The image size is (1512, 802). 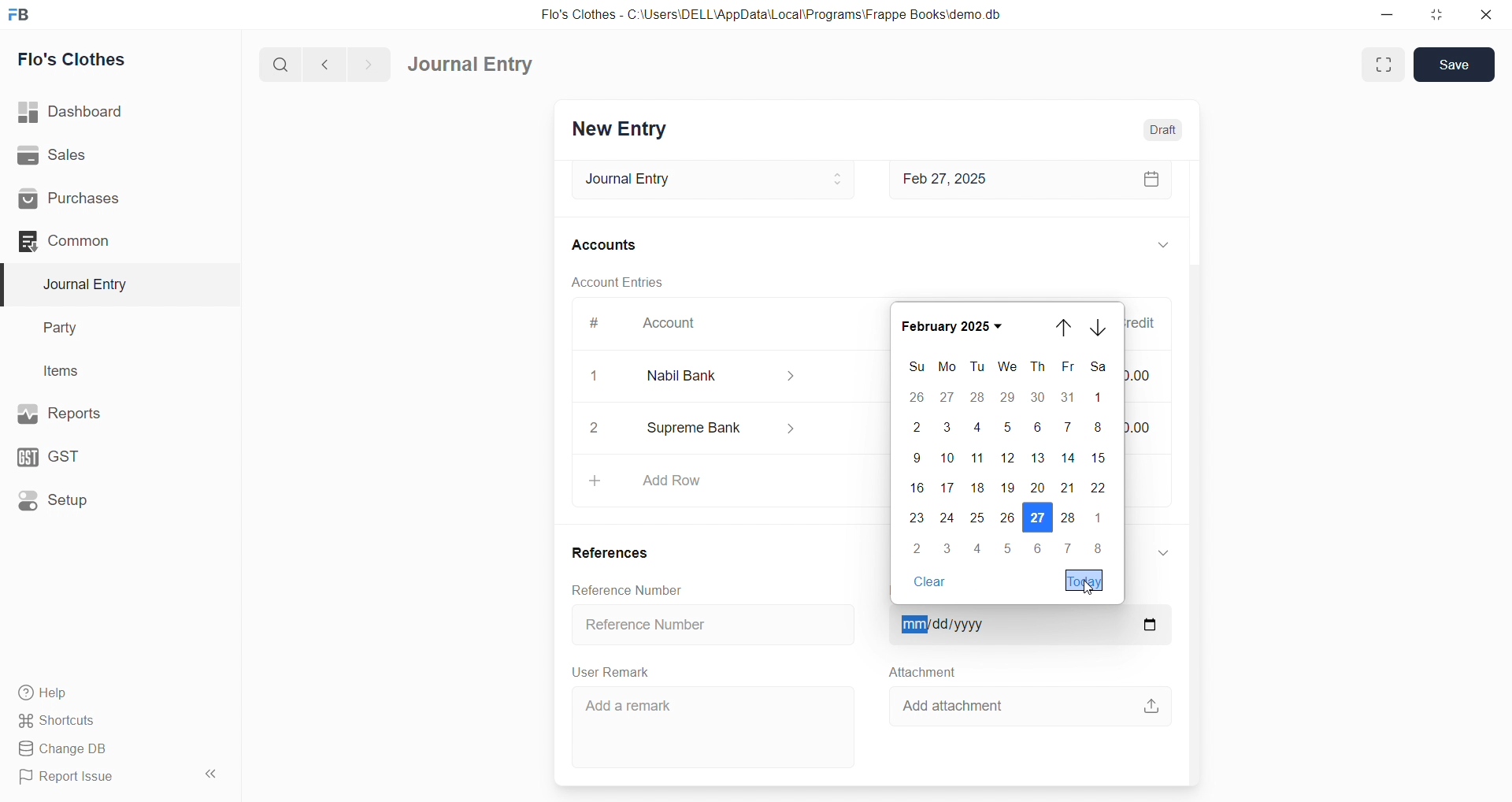 I want to click on Sales, so click(x=94, y=154).